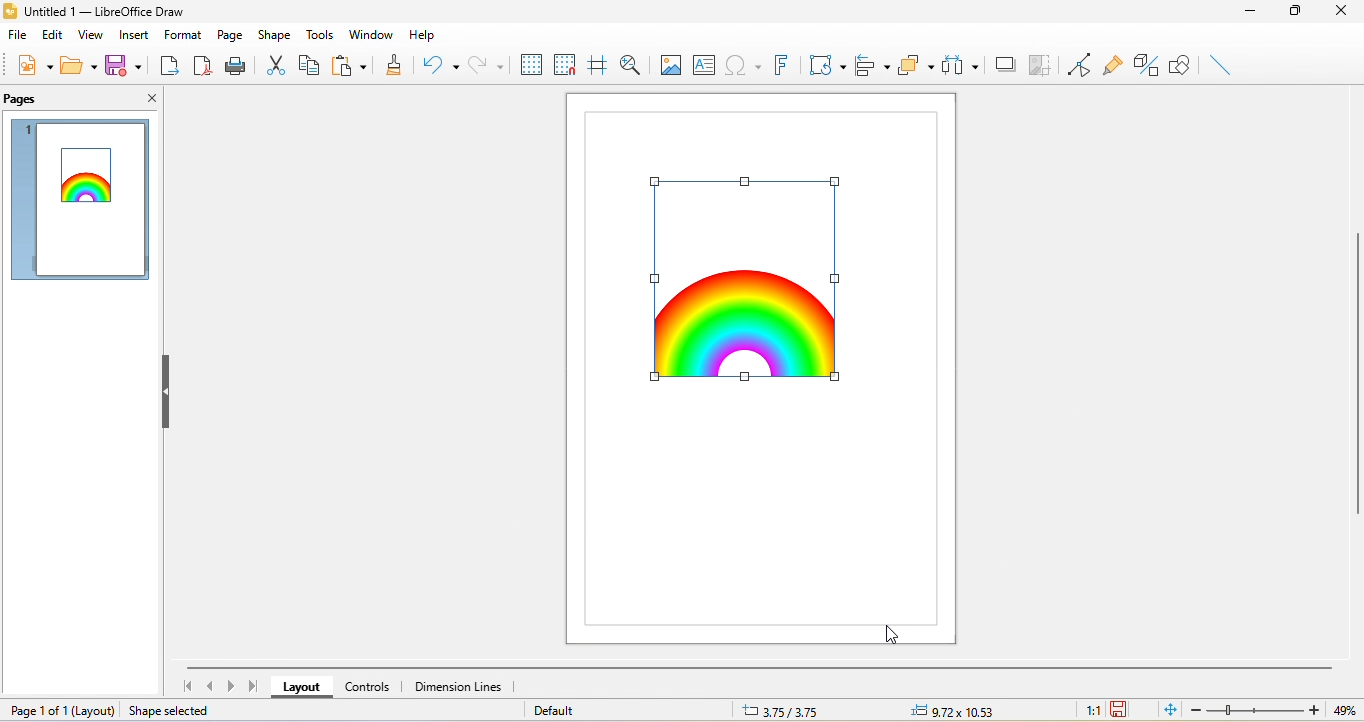 The width and height of the screenshot is (1364, 722). I want to click on 6.13/8.02, so click(791, 710).